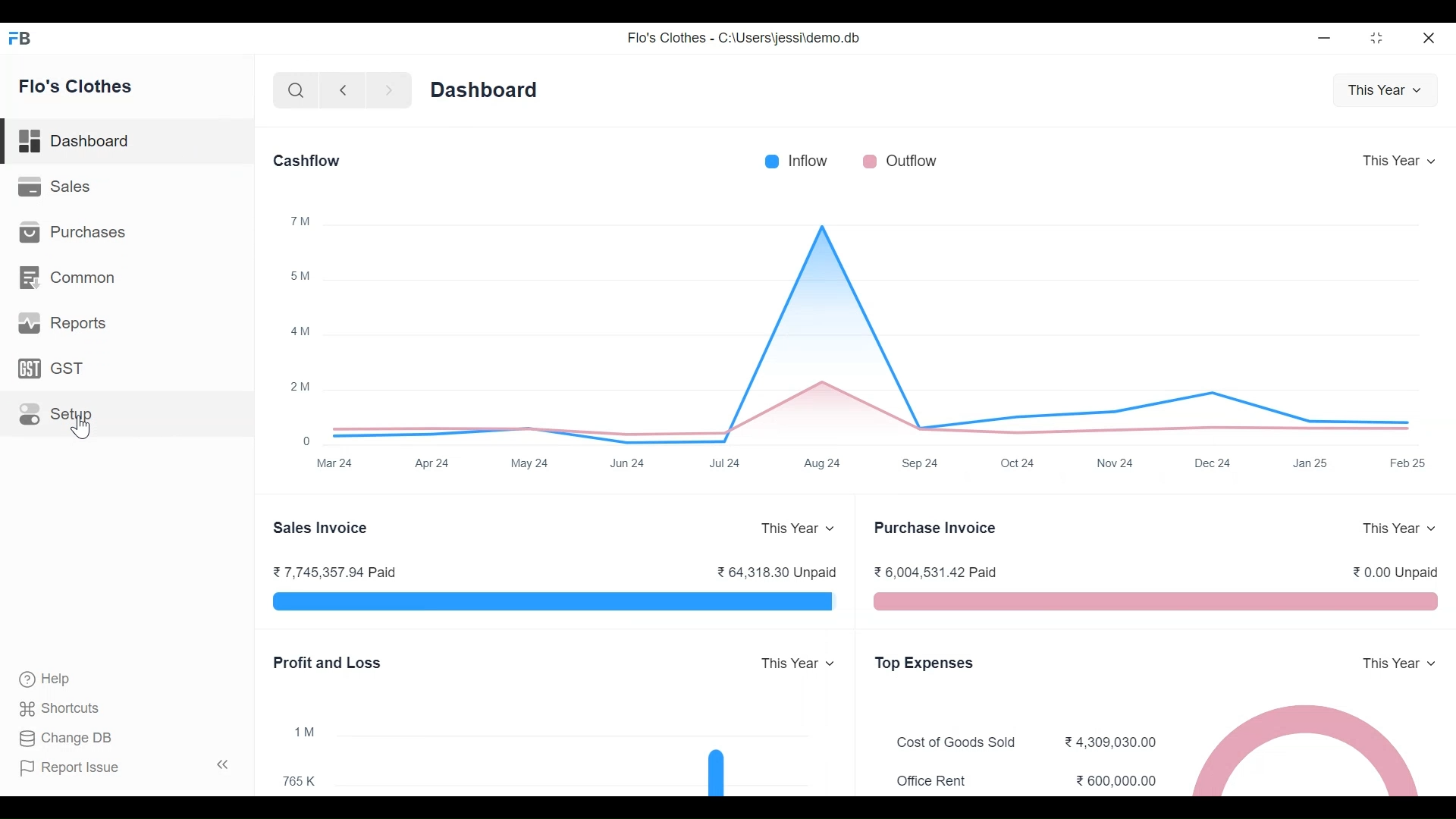 The image size is (1456, 819). What do you see at coordinates (390, 90) in the screenshot?
I see `next` at bounding box center [390, 90].